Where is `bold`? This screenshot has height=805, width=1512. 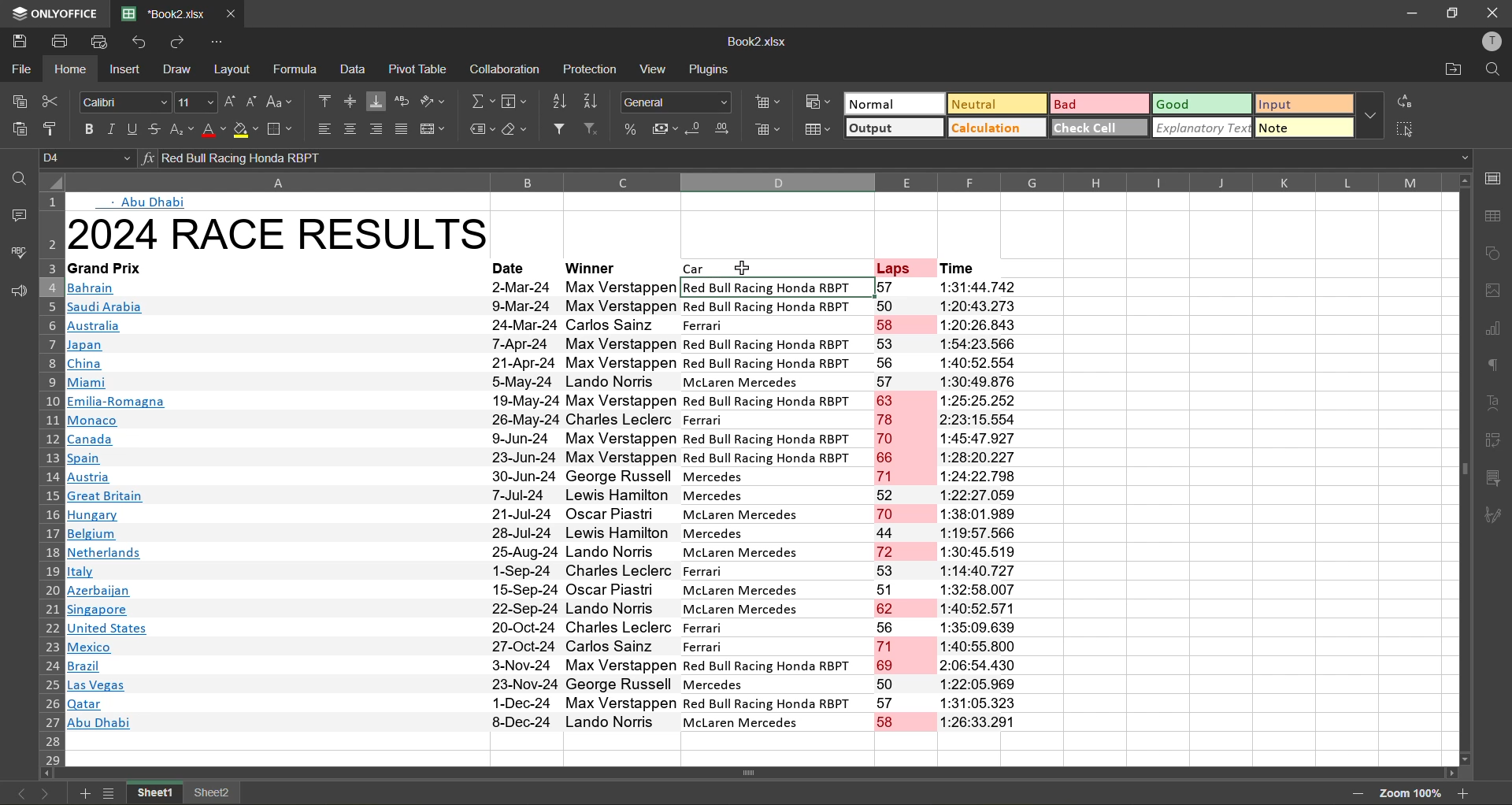
bold is located at coordinates (89, 129).